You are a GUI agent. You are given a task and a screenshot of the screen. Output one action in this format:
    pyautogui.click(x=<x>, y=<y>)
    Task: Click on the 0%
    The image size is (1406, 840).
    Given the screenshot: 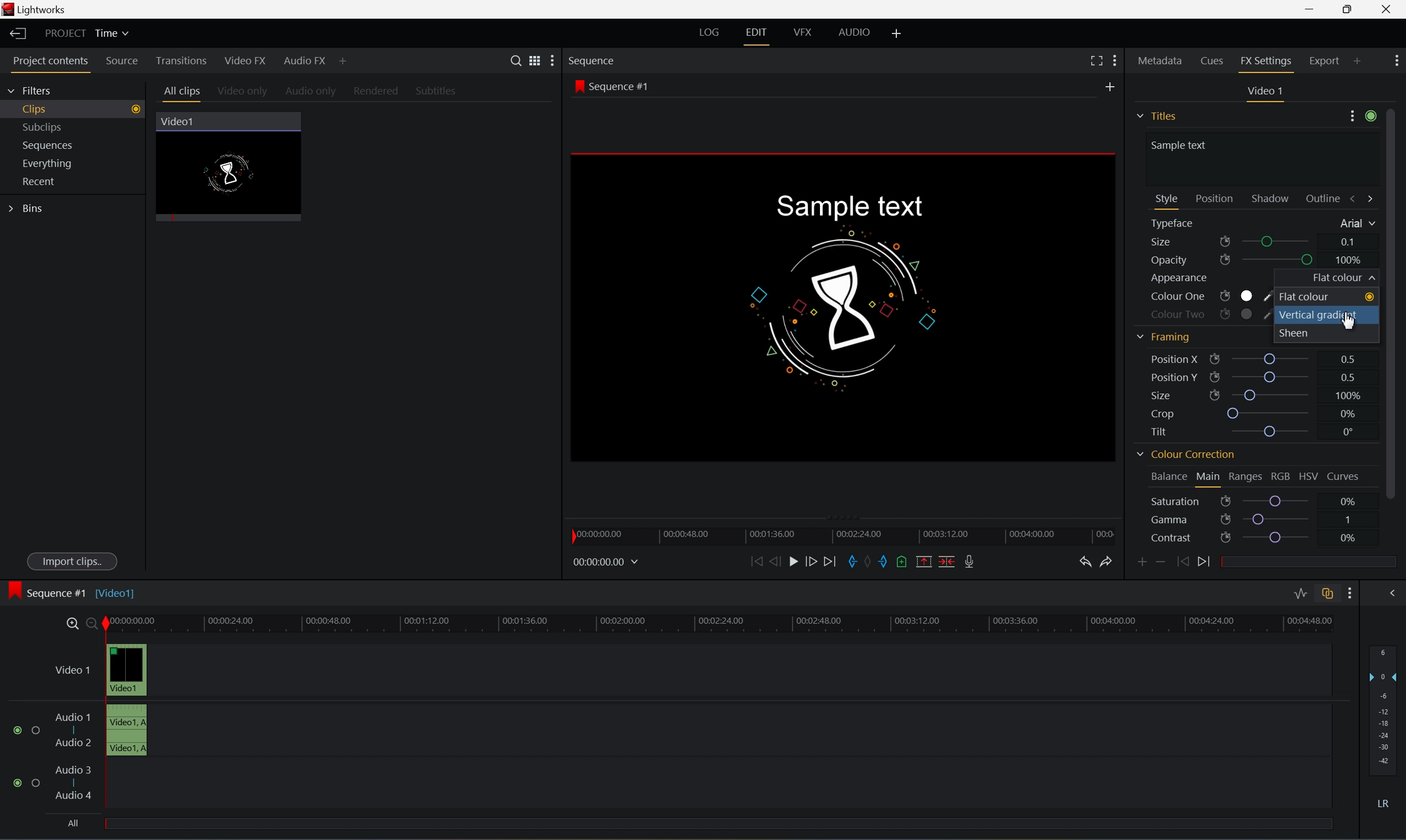 What is the action you would take?
    pyautogui.click(x=1348, y=500)
    